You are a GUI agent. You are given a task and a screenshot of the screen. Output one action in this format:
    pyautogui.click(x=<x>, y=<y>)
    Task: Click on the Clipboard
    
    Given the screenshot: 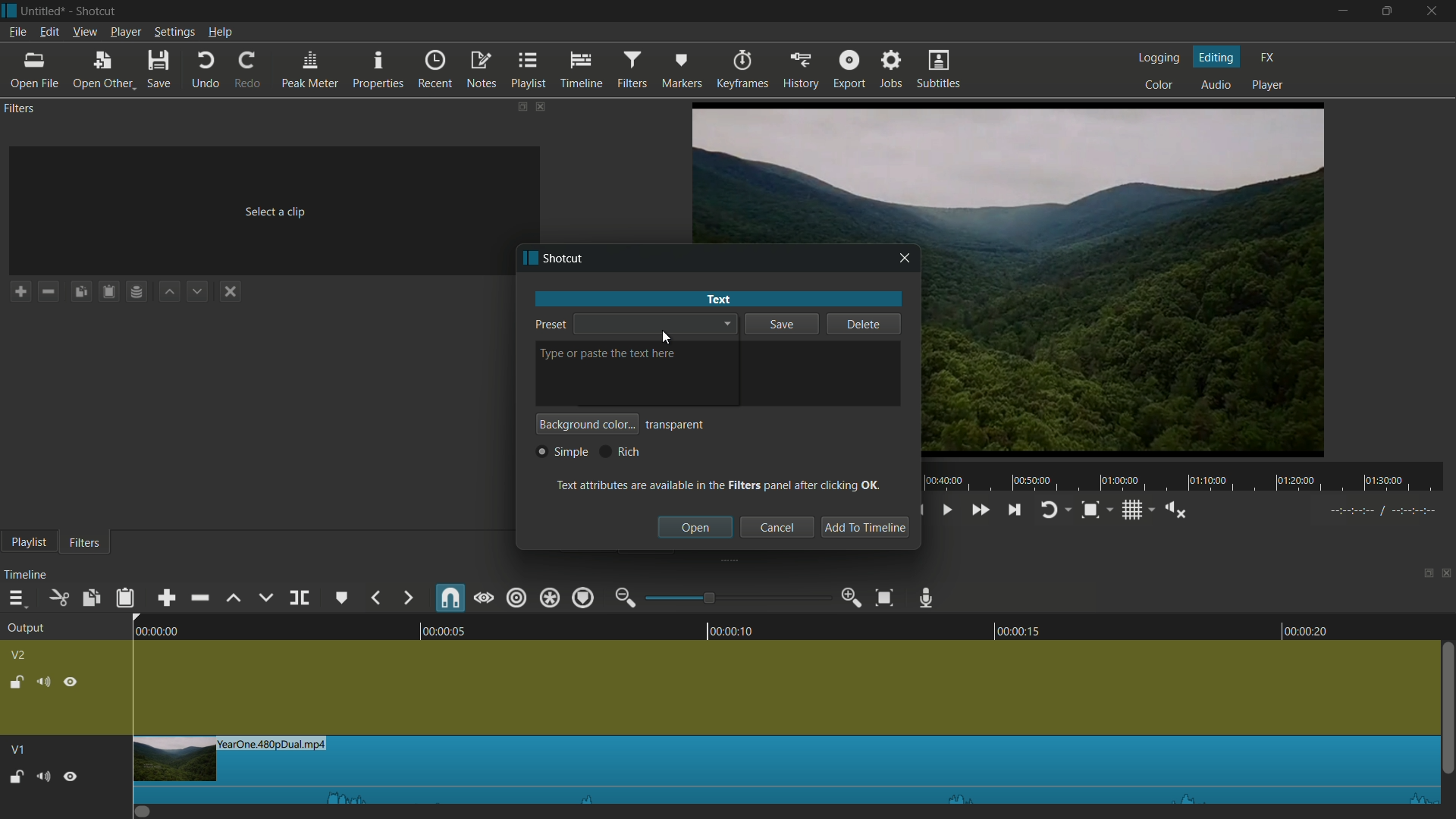 What is the action you would take?
    pyautogui.click(x=111, y=292)
    